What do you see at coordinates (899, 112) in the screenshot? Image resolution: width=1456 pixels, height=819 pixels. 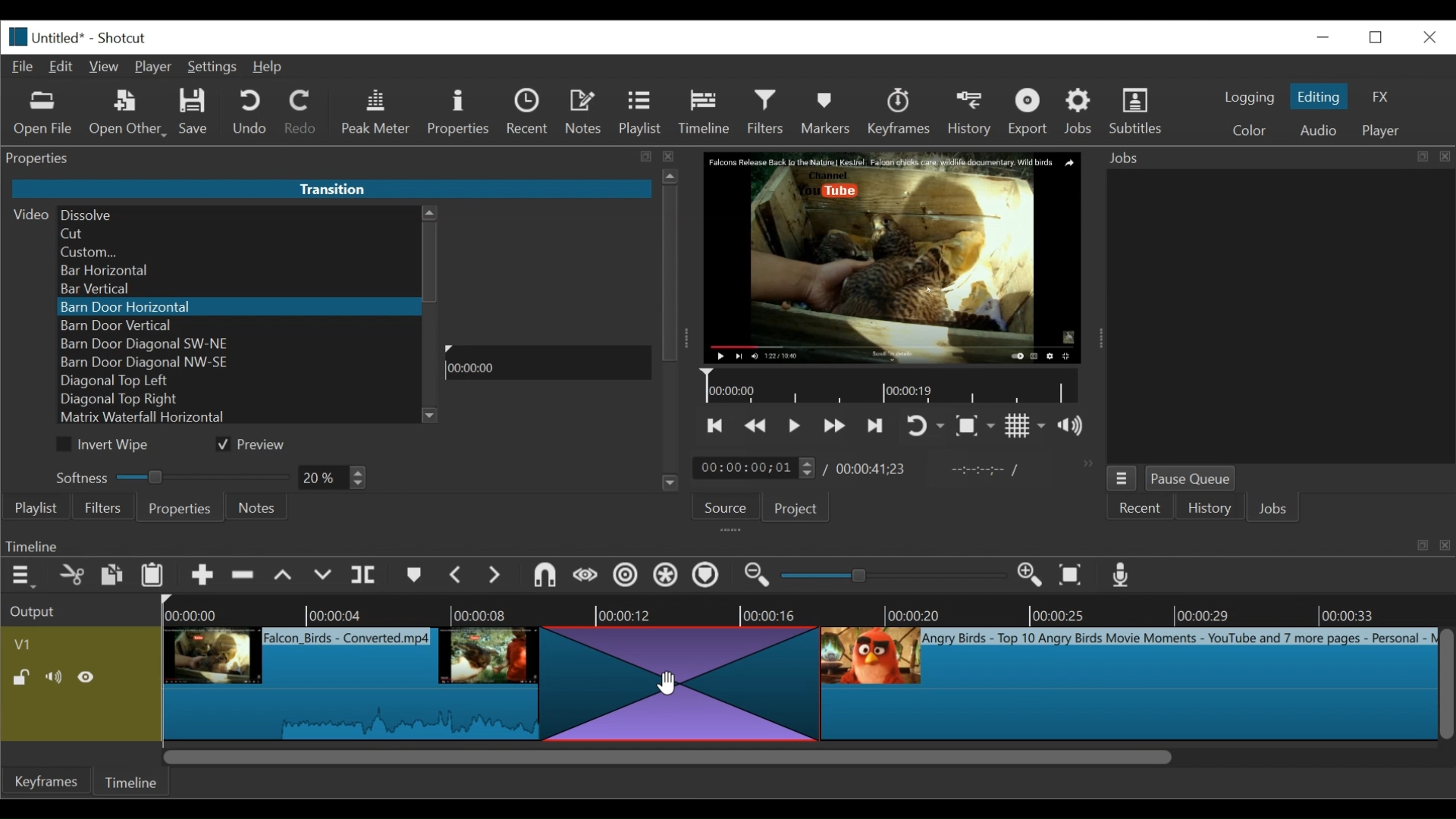 I see `Keyframes` at bounding box center [899, 112].